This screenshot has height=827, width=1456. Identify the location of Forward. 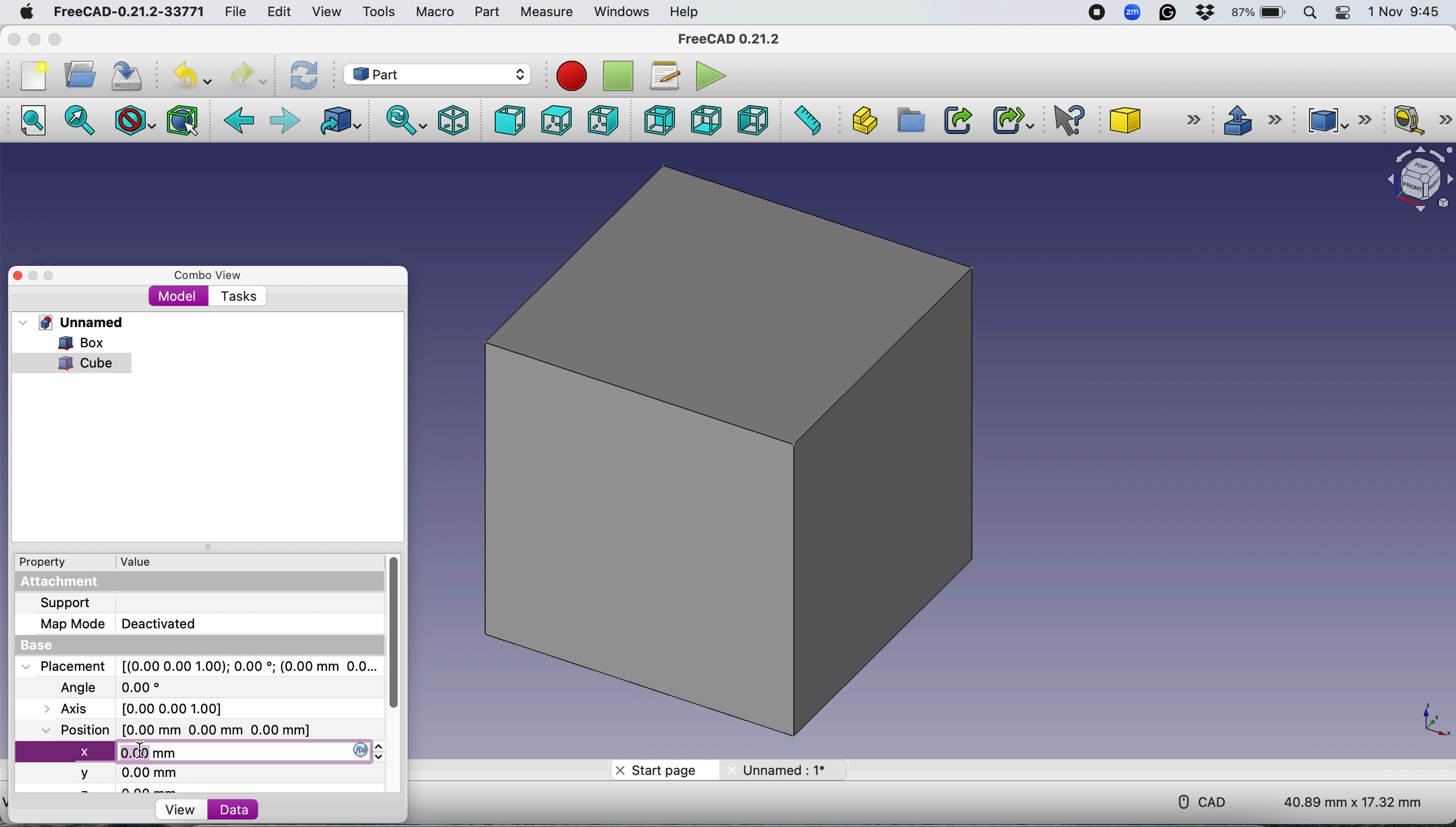
(285, 122).